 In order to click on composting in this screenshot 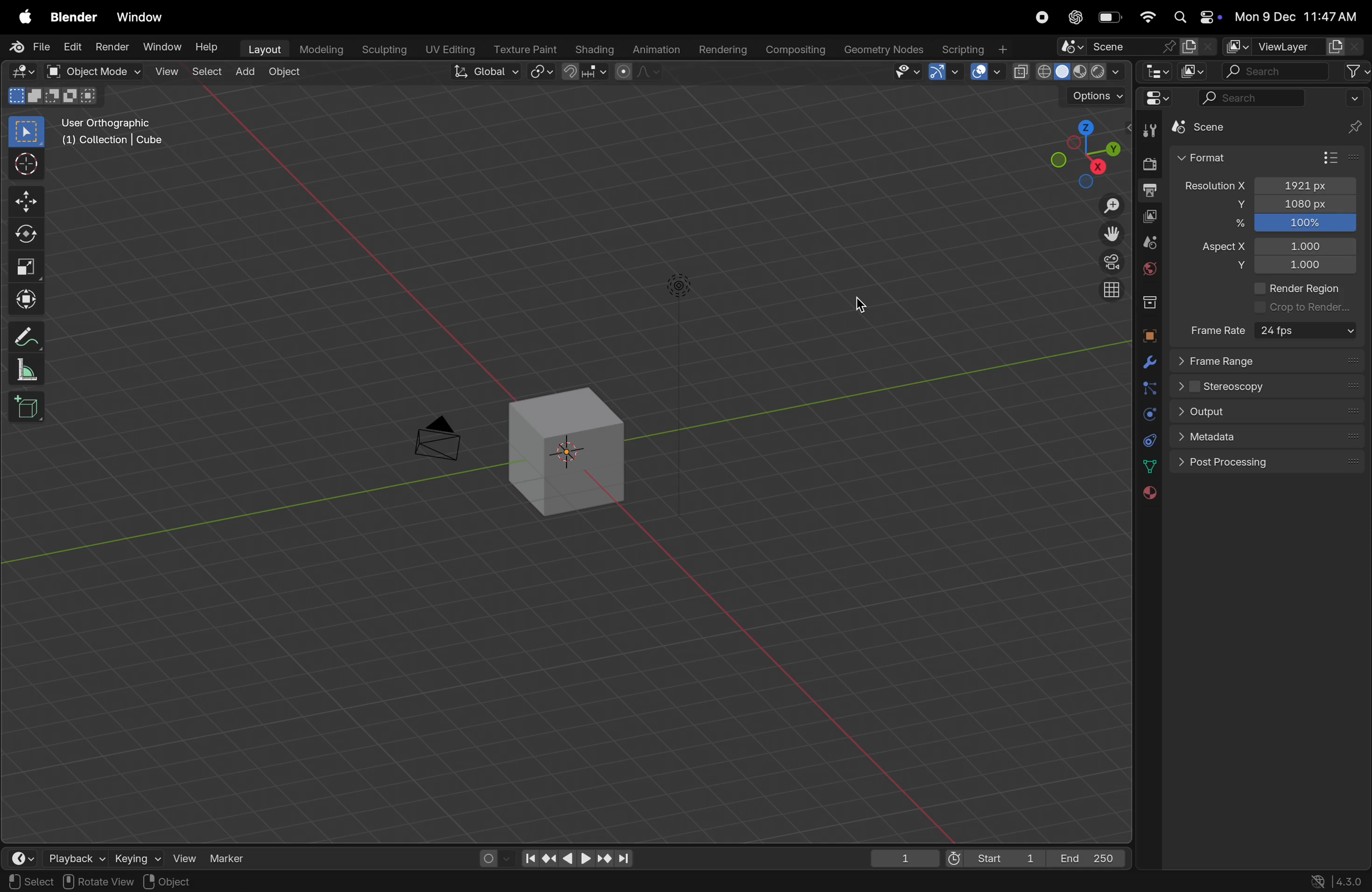, I will do `click(797, 50)`.